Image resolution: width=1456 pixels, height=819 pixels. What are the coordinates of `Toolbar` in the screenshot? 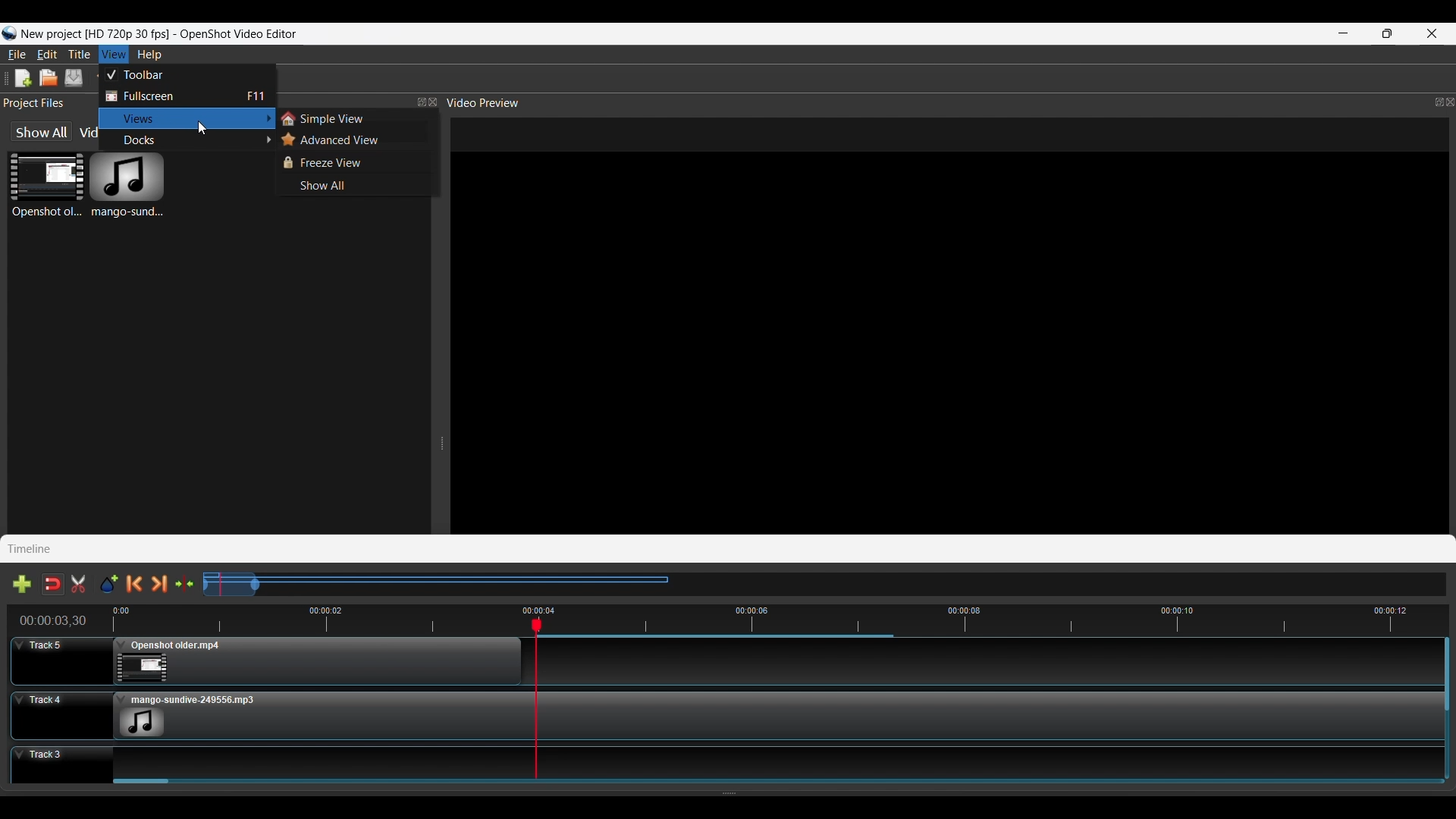 It's located at (186, 74).